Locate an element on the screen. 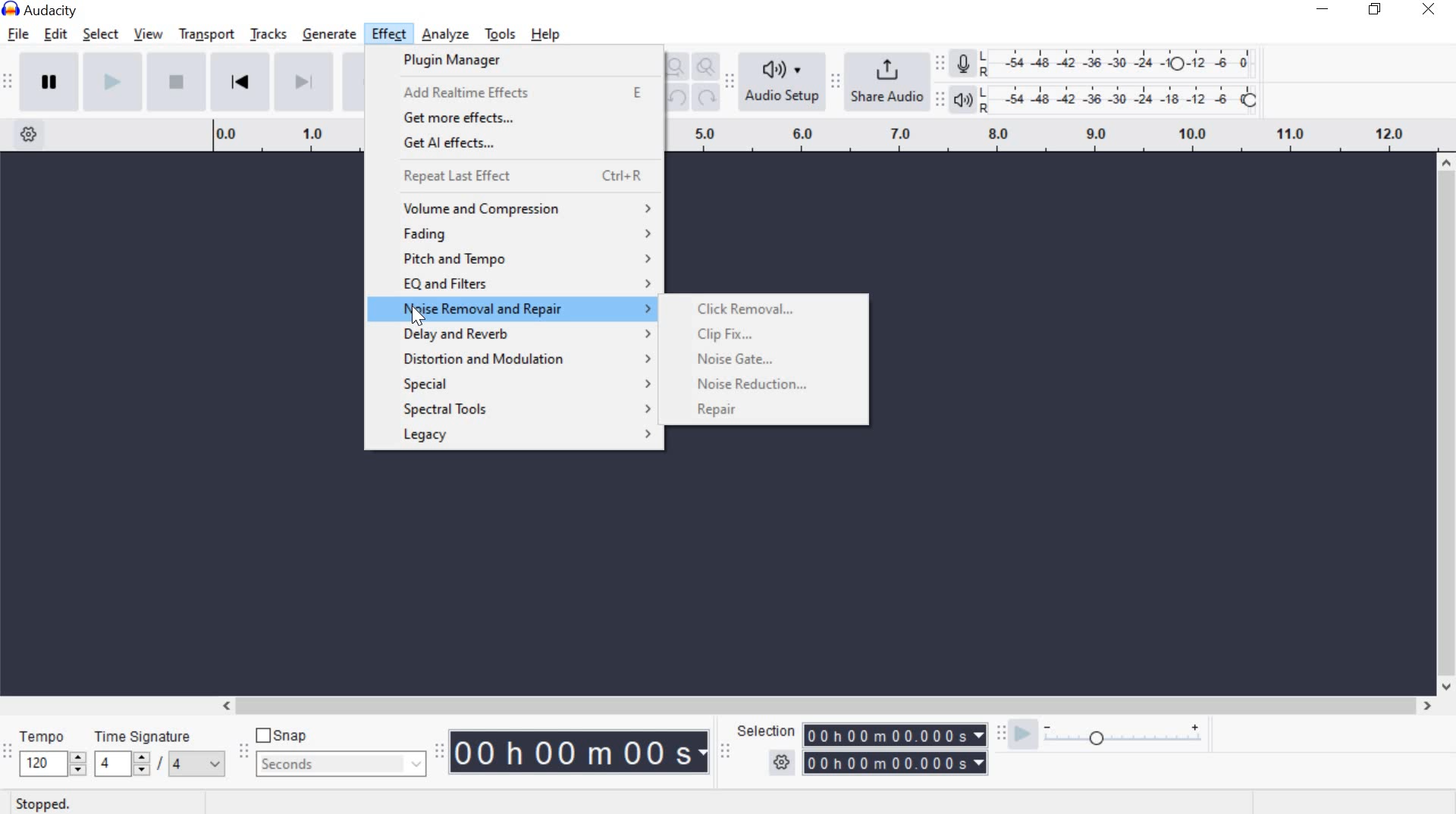 The width and height of the screenshot is (1456, 814). plugin manager is located at coordinates (449, 61).